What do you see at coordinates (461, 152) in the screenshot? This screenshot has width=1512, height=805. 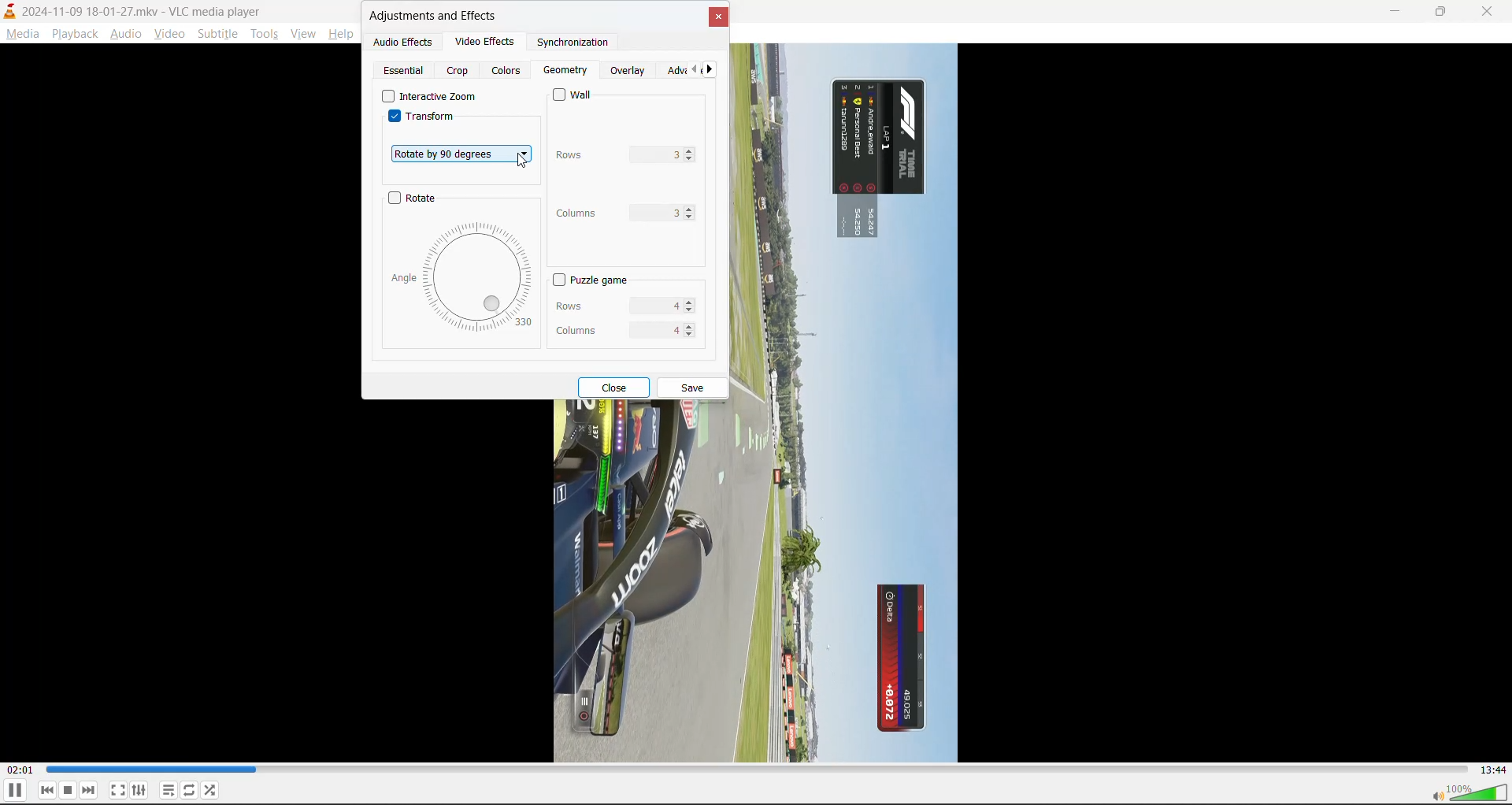 I see `rotate by 90 degrees` at bounding box center [461, 152].